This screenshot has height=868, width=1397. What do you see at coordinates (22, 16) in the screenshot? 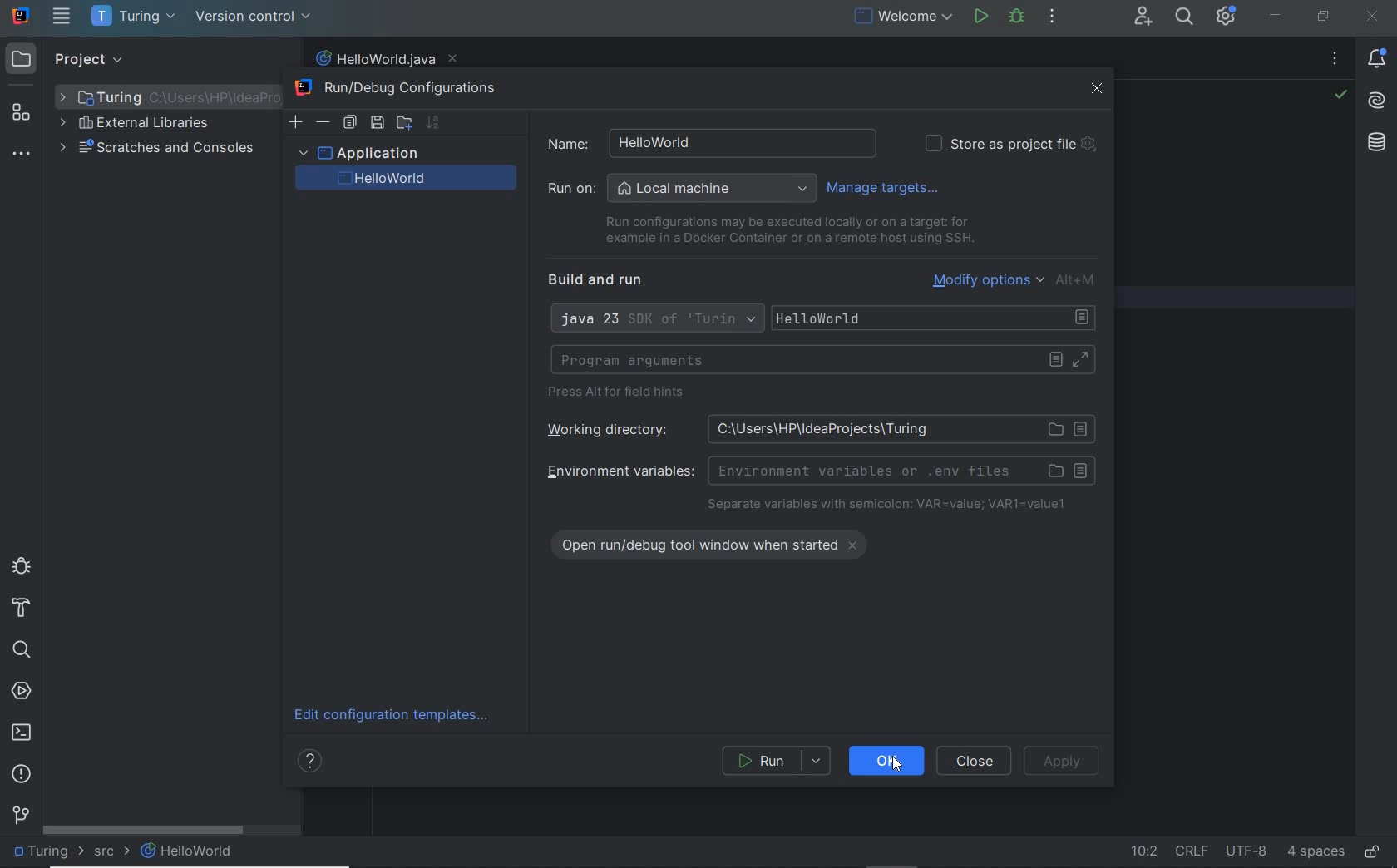
I see `system name` at bounding box center [22, 16].